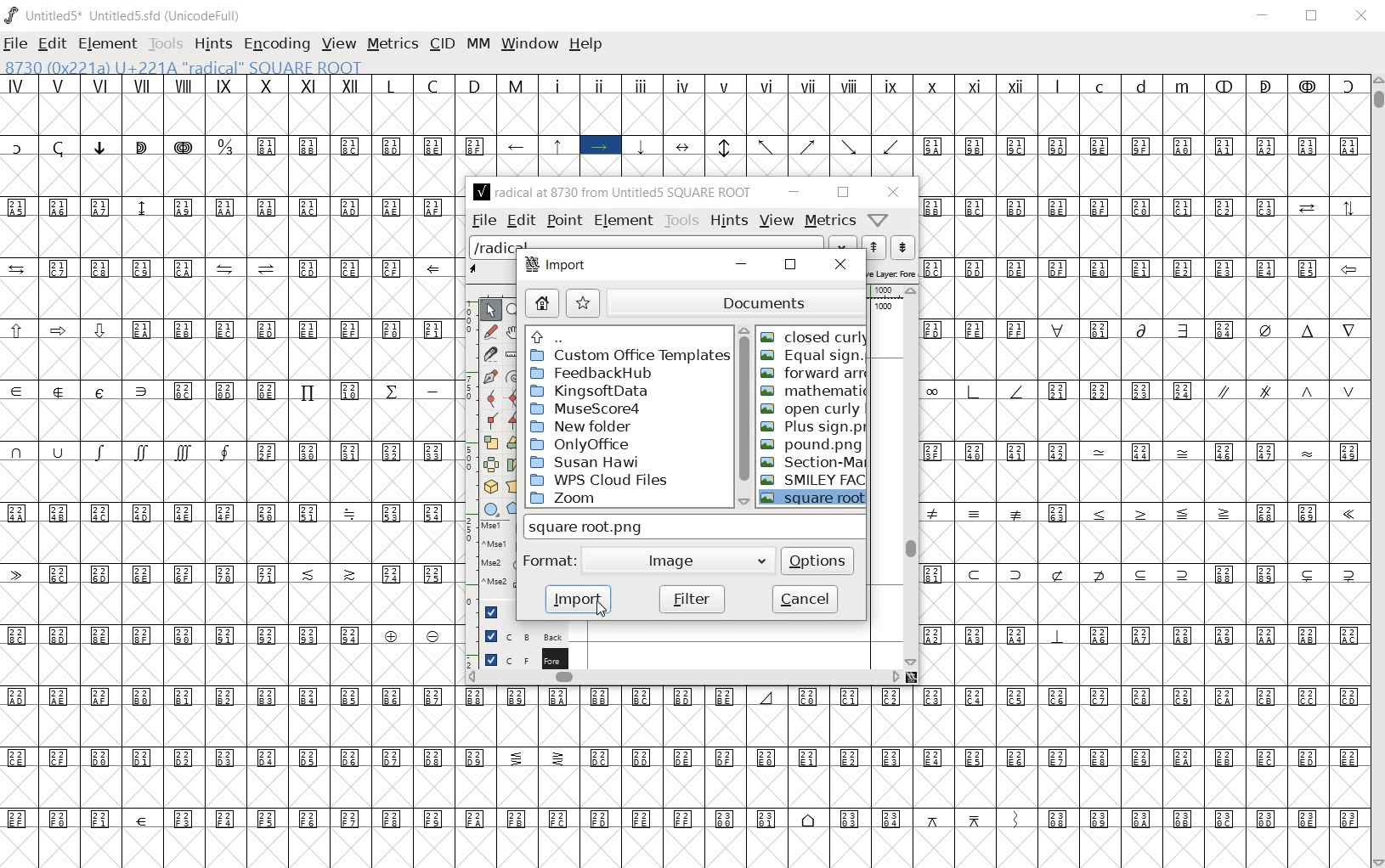  I want to click on cancel, so click(805, 600).